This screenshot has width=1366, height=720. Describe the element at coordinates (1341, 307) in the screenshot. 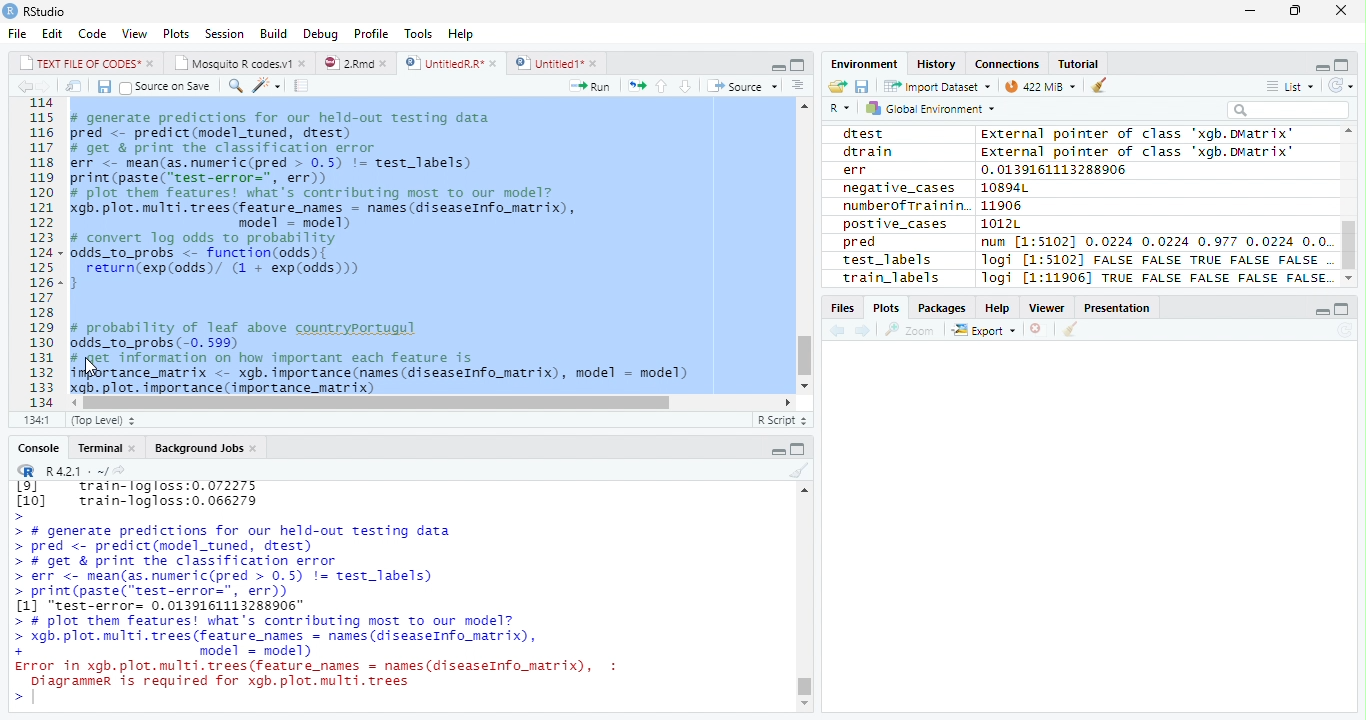

I see `Maximize` at that location.